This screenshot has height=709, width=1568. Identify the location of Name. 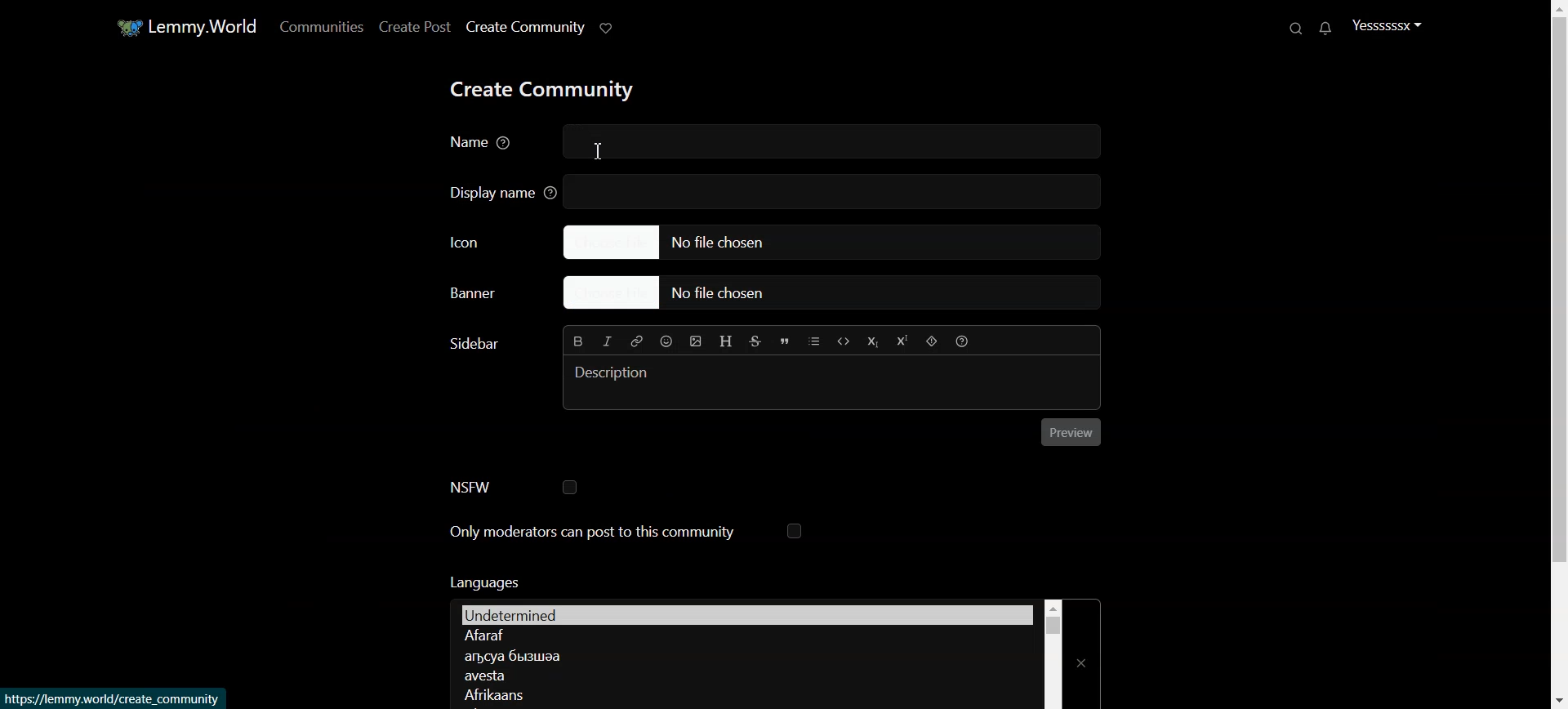
(490, 140).